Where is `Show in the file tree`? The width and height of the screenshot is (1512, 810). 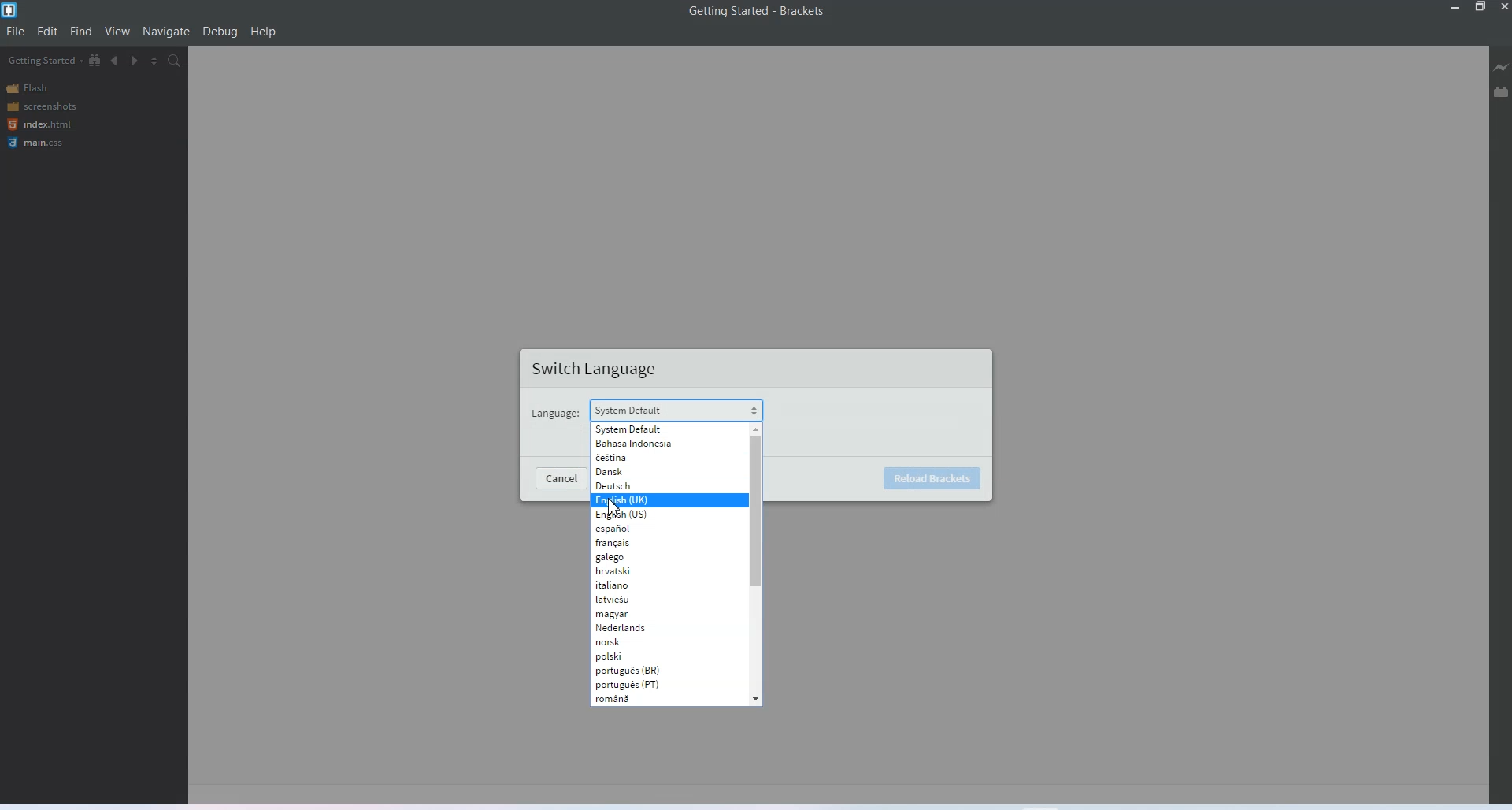 Show in the file tree is located at coordinates (95, 60).